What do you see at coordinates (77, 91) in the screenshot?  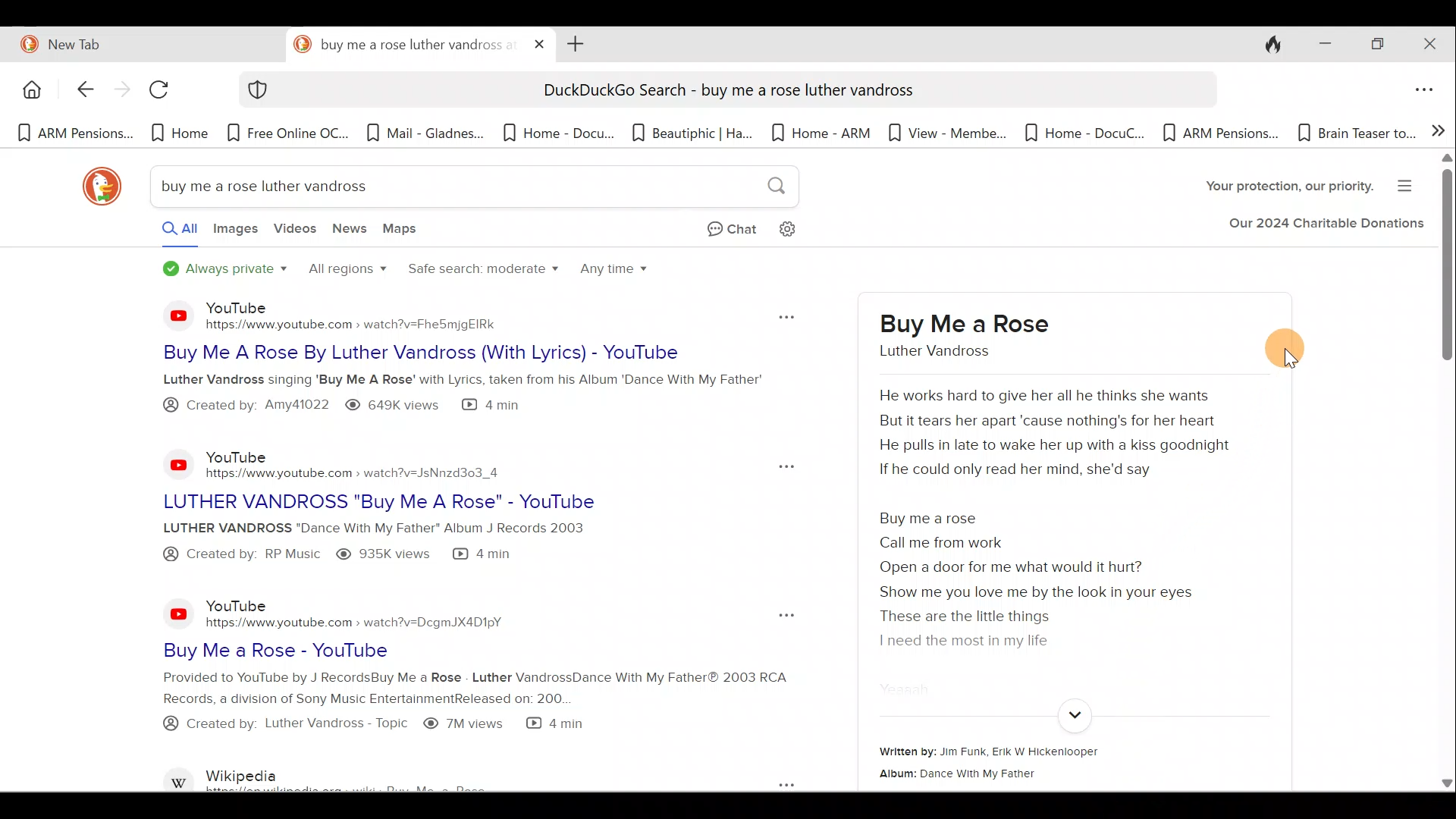 I see `Back` at bounding box center [77, 91].